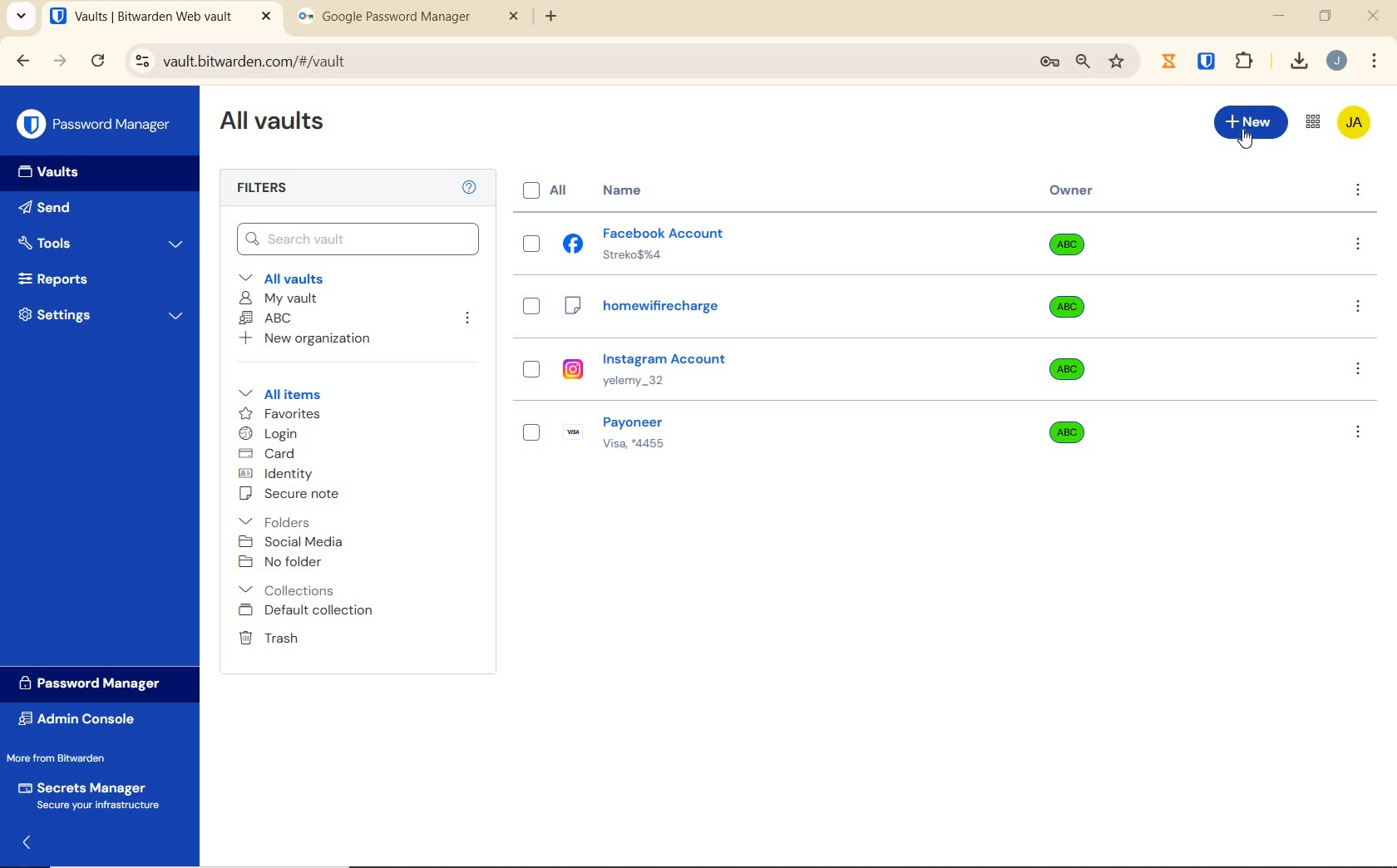 The width and height of the screenshot is (1397, 868). I want to click on zoom, so click(1082, 62).